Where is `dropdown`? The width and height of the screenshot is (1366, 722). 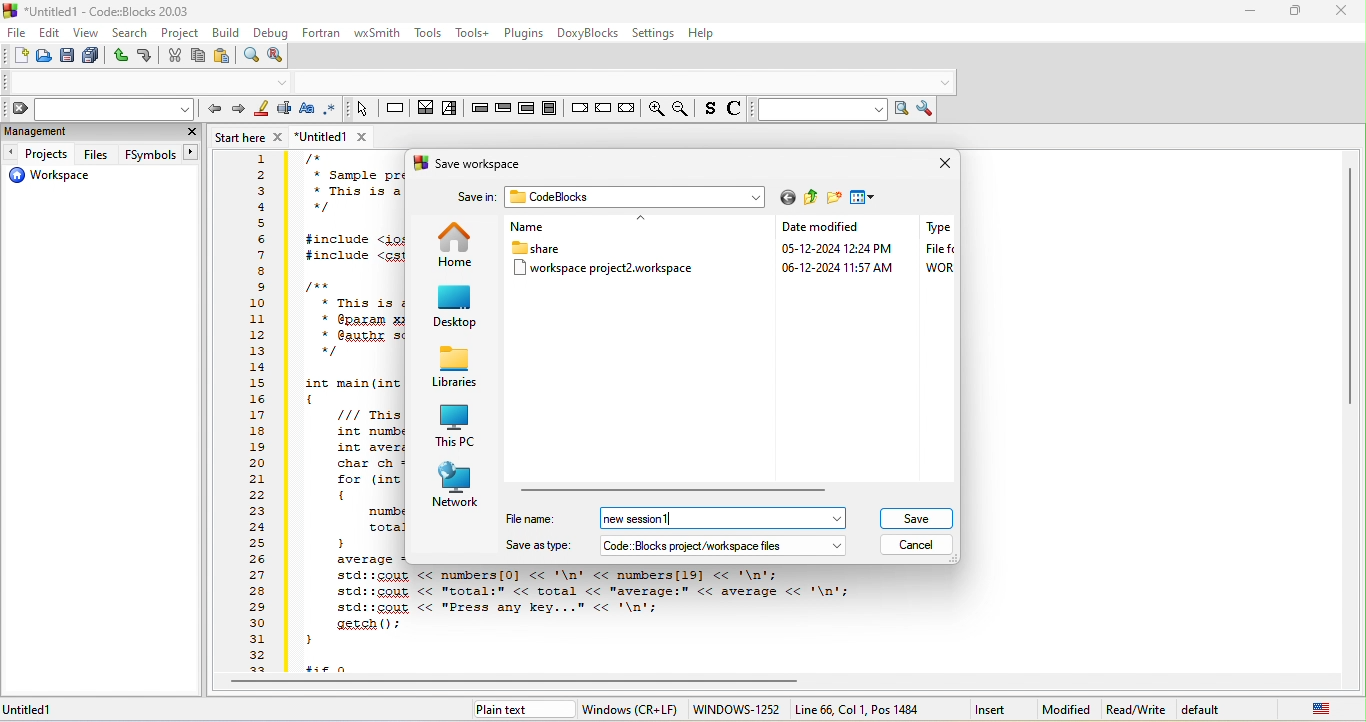 dropdown is located at coordinates (838, 519).